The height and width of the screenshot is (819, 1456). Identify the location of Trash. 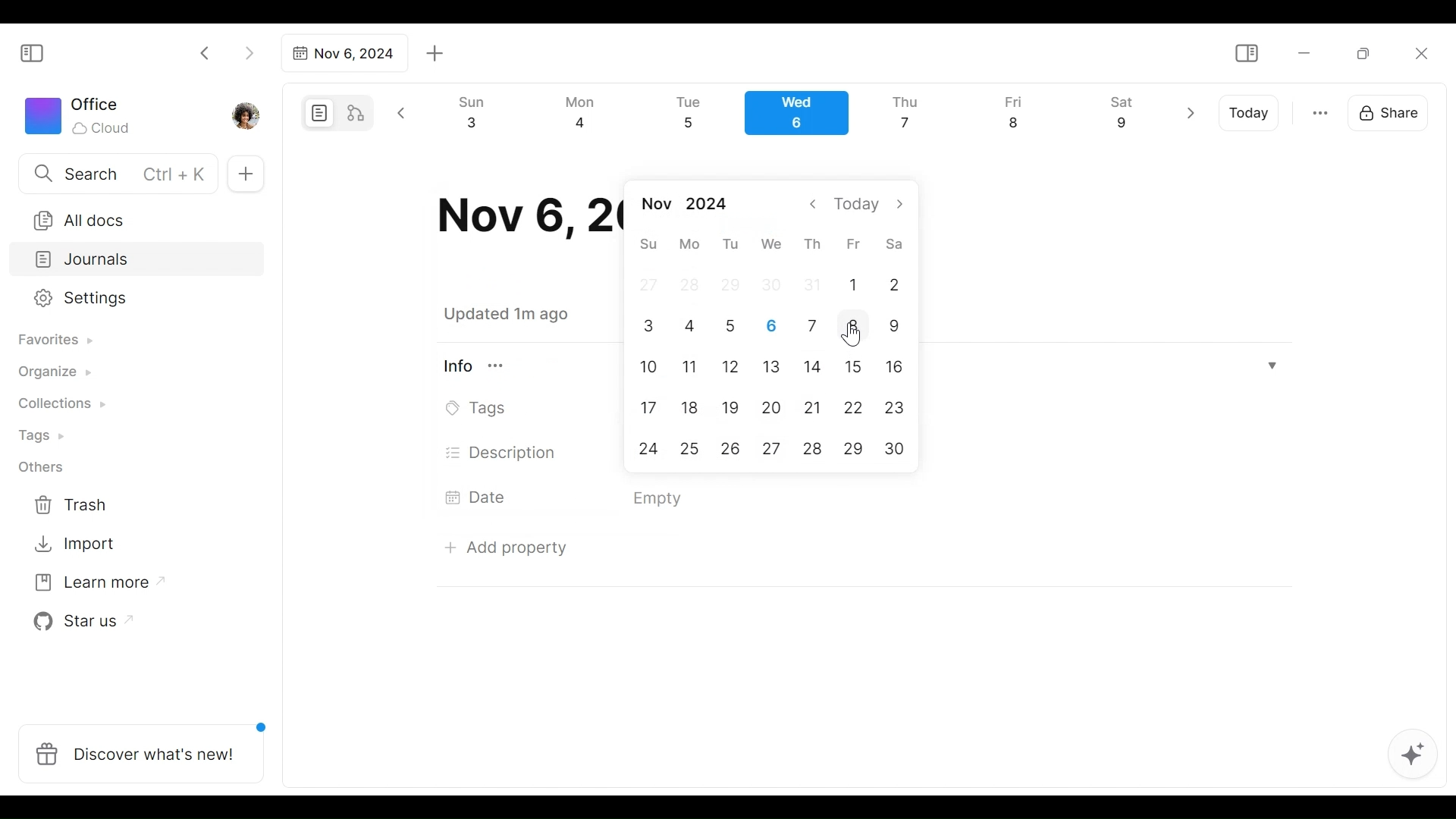
(72, 505).